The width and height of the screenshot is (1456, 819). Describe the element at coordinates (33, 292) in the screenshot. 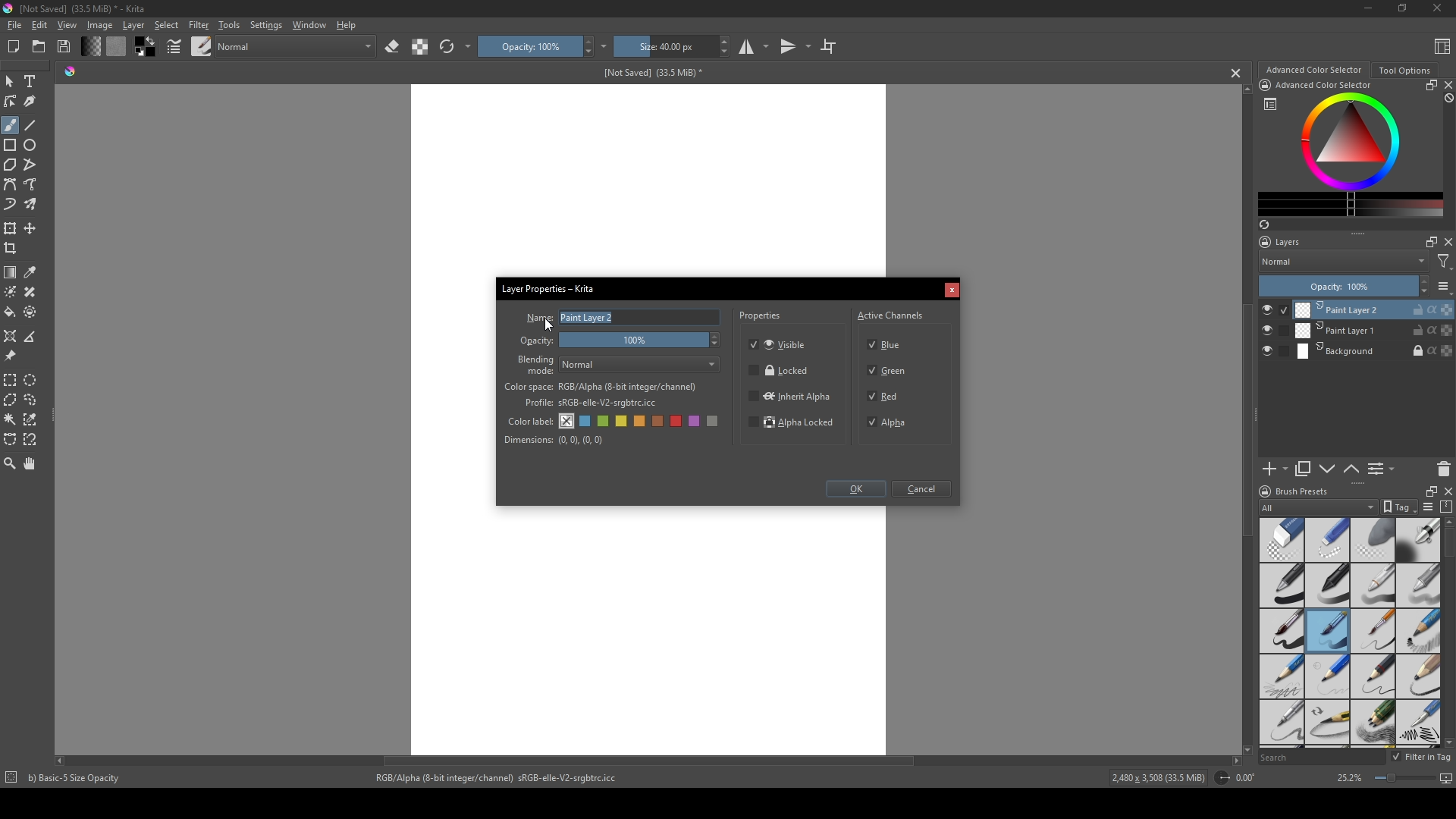

I see `smart patch` at that location.